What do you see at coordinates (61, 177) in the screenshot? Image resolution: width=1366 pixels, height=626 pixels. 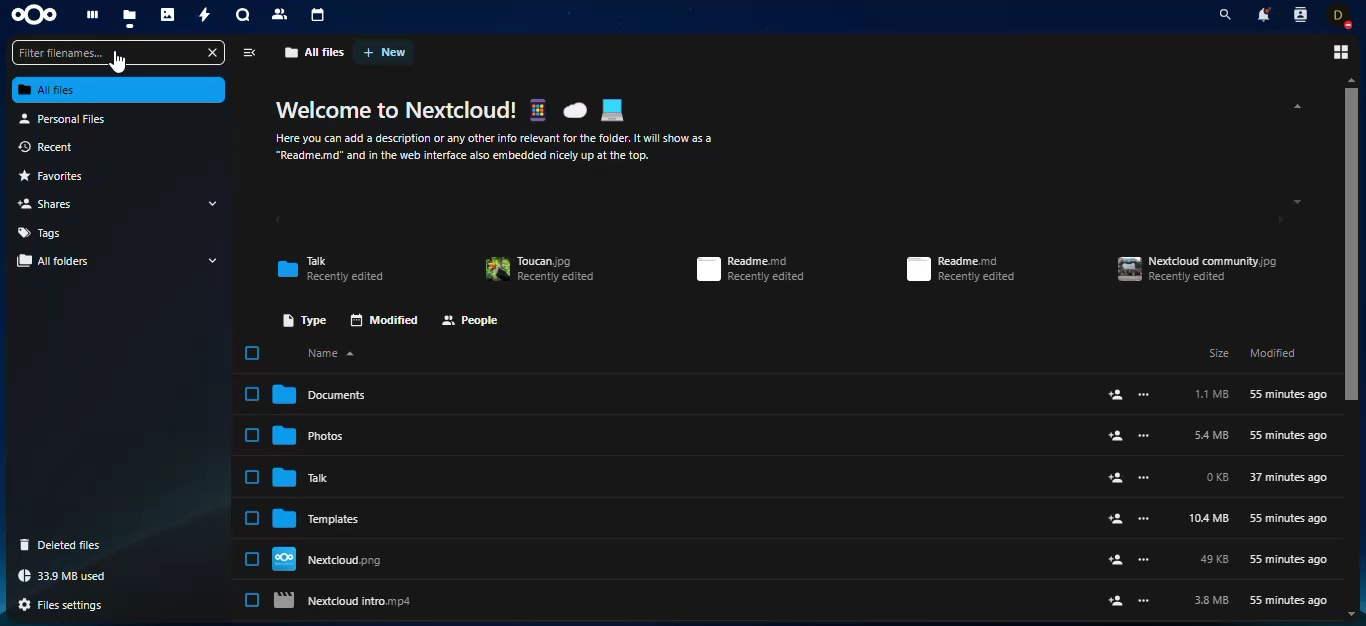 I see `favorites` at bounding box center [61, 177].